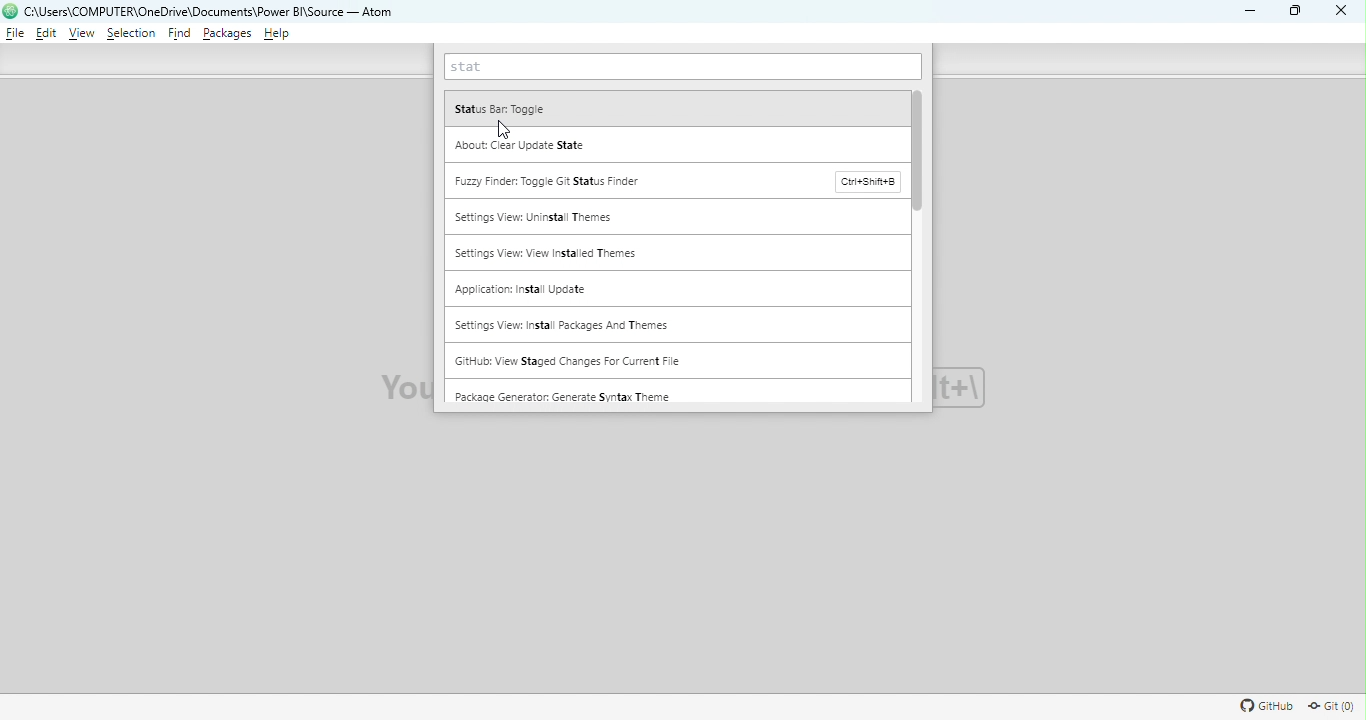 Image resolution: width=1366 pixels, height=720 pixels. Describe the element at coordinates (278, 34) in the screenshot. I see `Help` at that location.